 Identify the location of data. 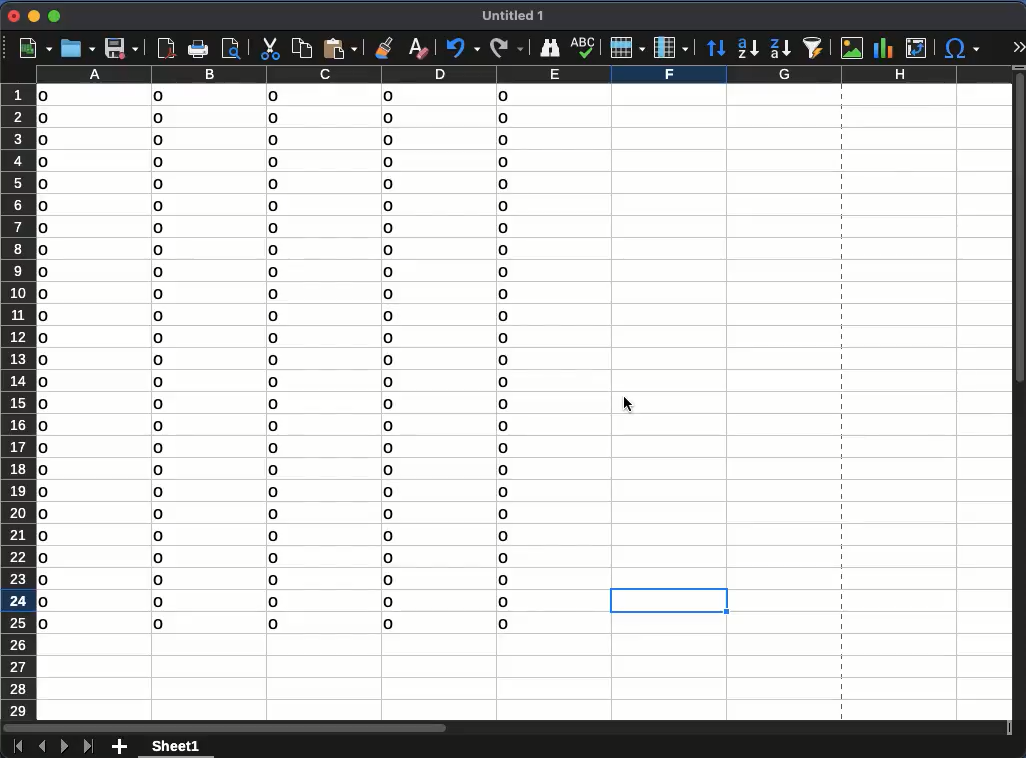
(284, 366).